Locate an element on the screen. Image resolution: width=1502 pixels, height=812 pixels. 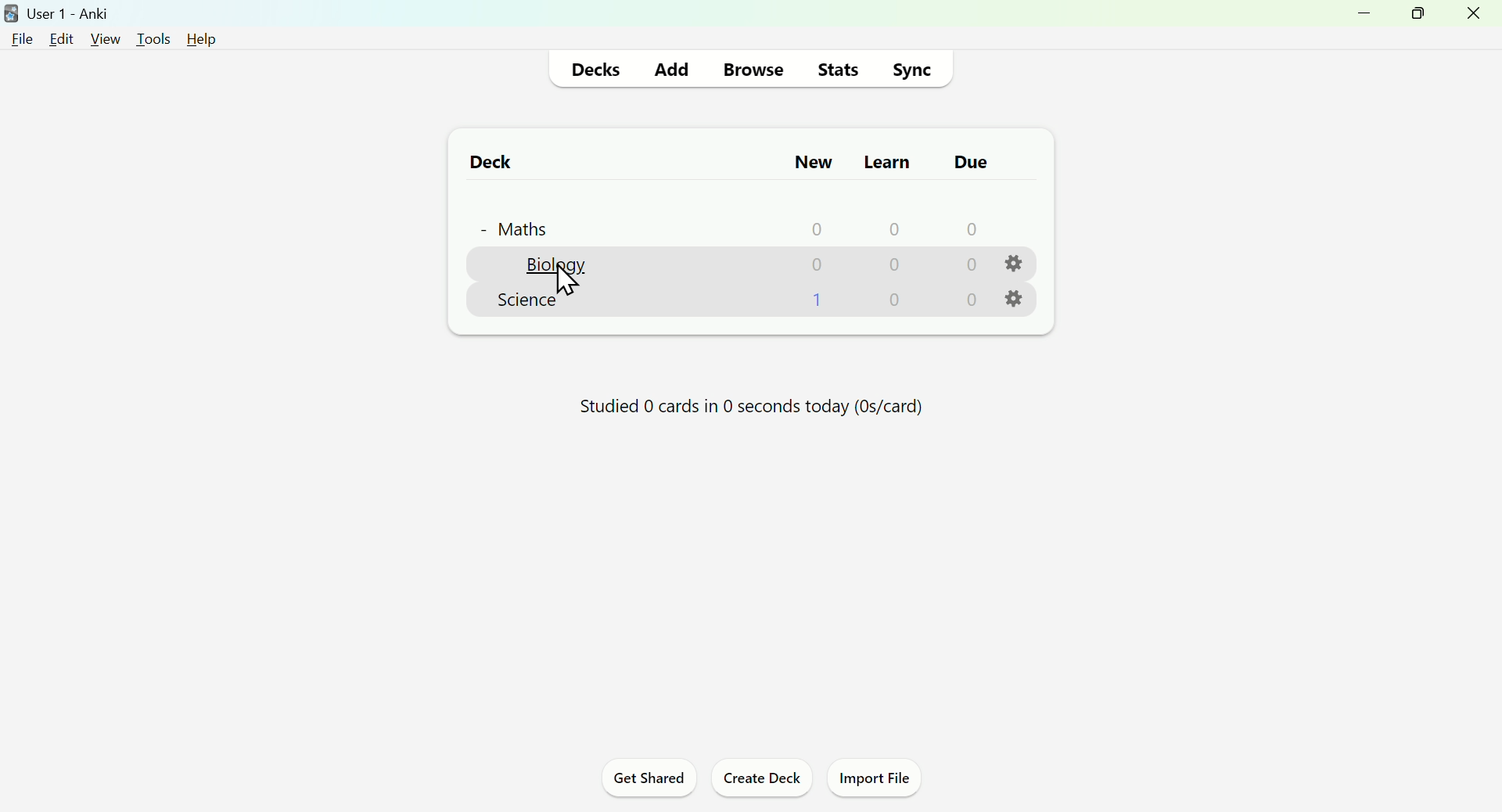
Close is located at coordinates (1476, 18).